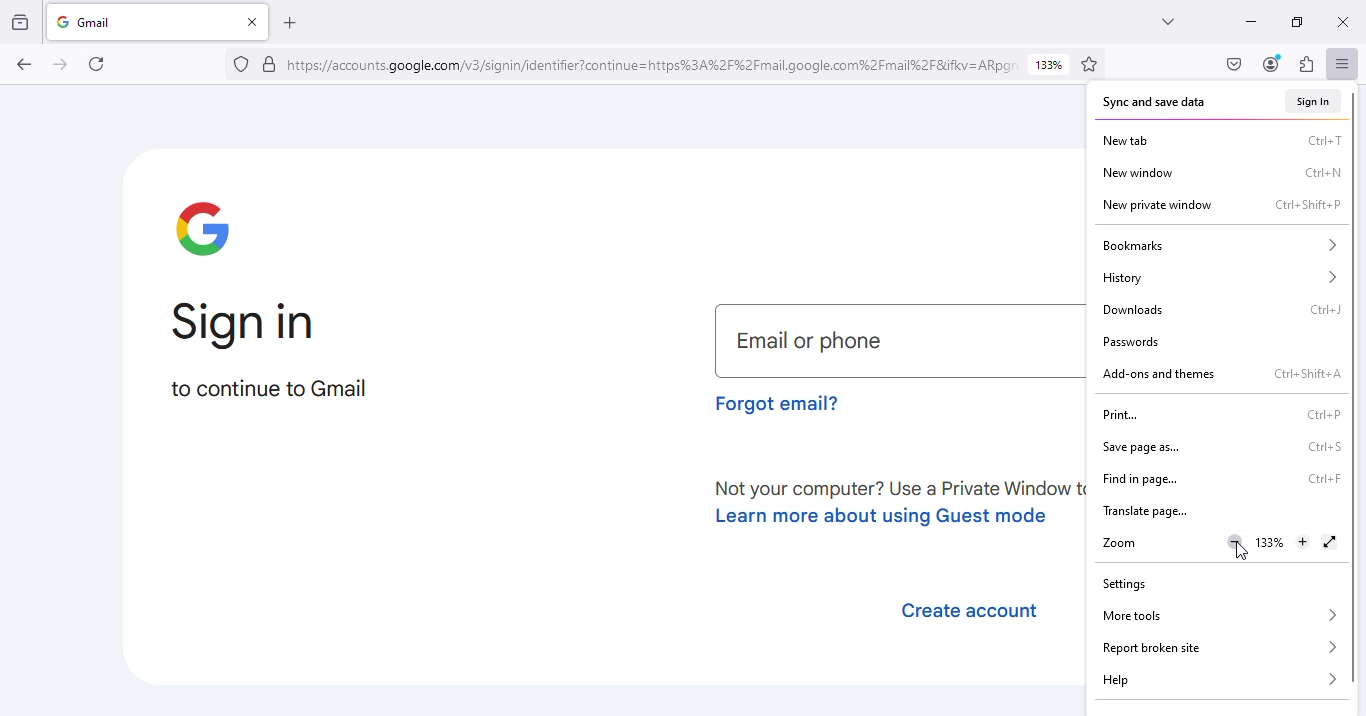  Describe the element at coordinates (1145, 511) in the screenshot. I see `translate page...` at that location.